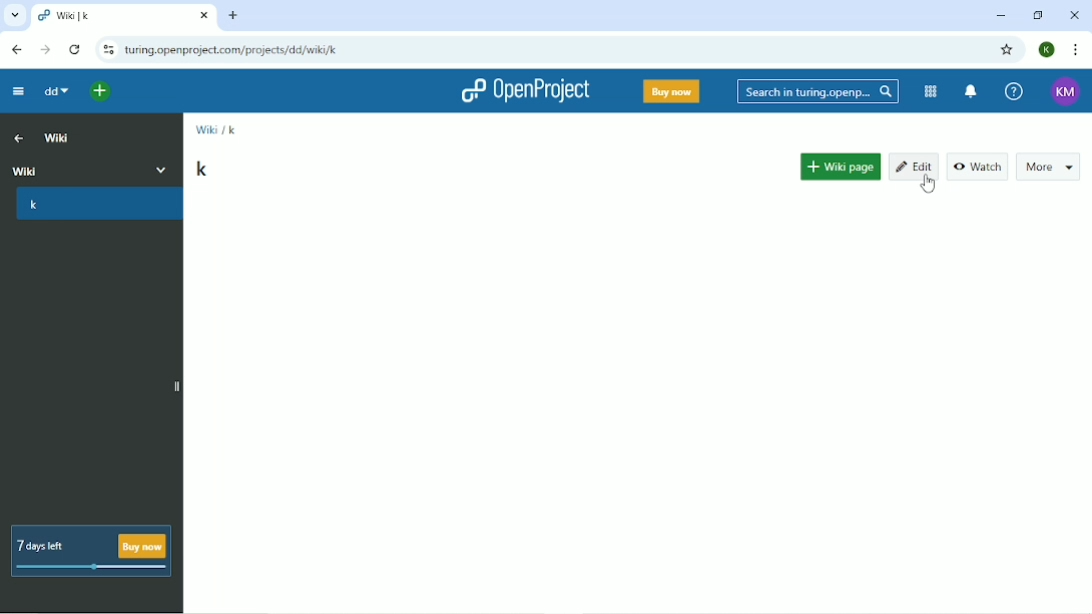 The width and height of the screenshot is (1092, 614). What do you see at coordinates (915, 166) in the screenshot?
I see `Edit` at bounding box center [915, 166].